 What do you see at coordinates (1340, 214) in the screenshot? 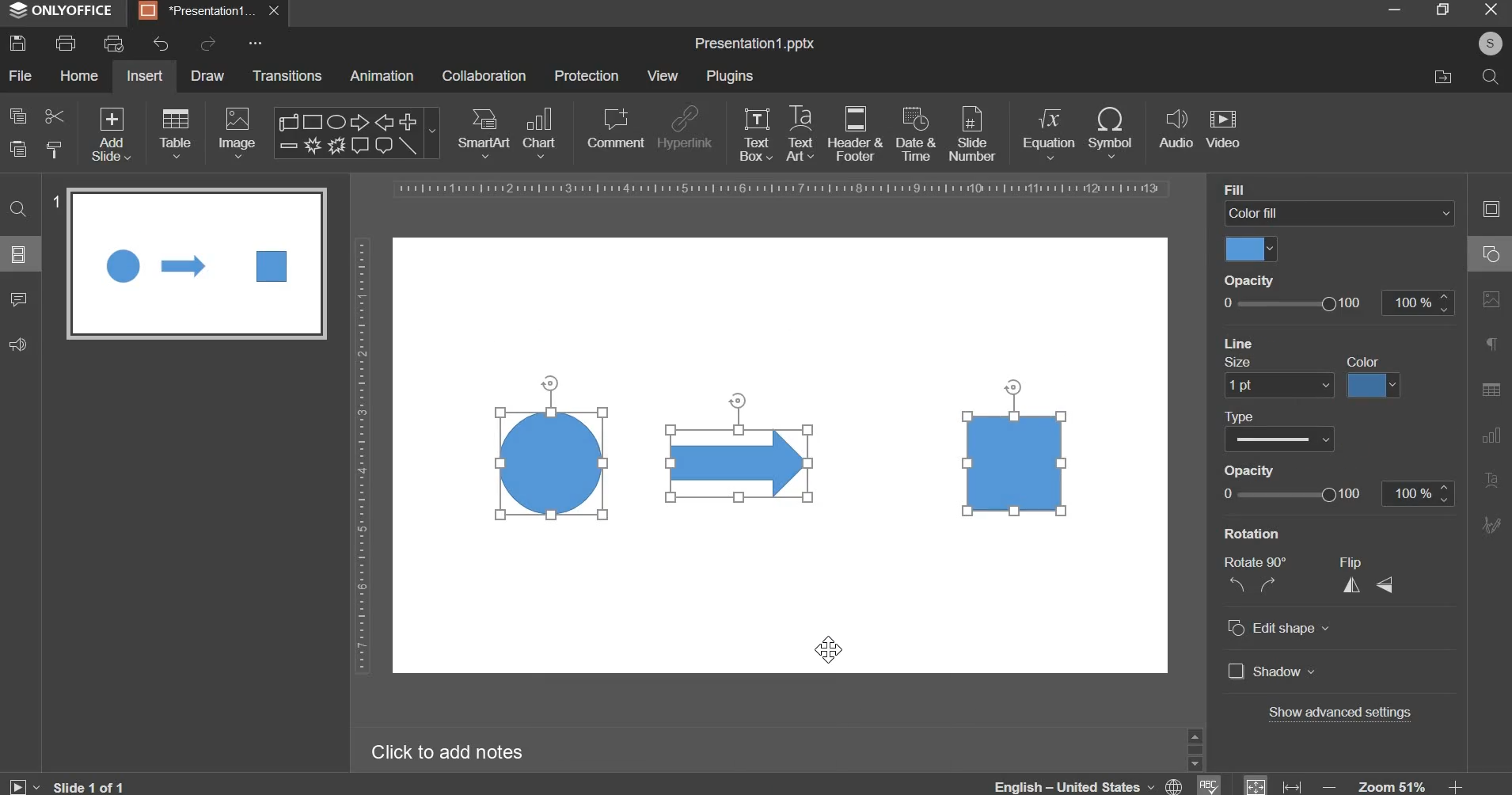
I see `background fill` at bounding box center [1340, 214].